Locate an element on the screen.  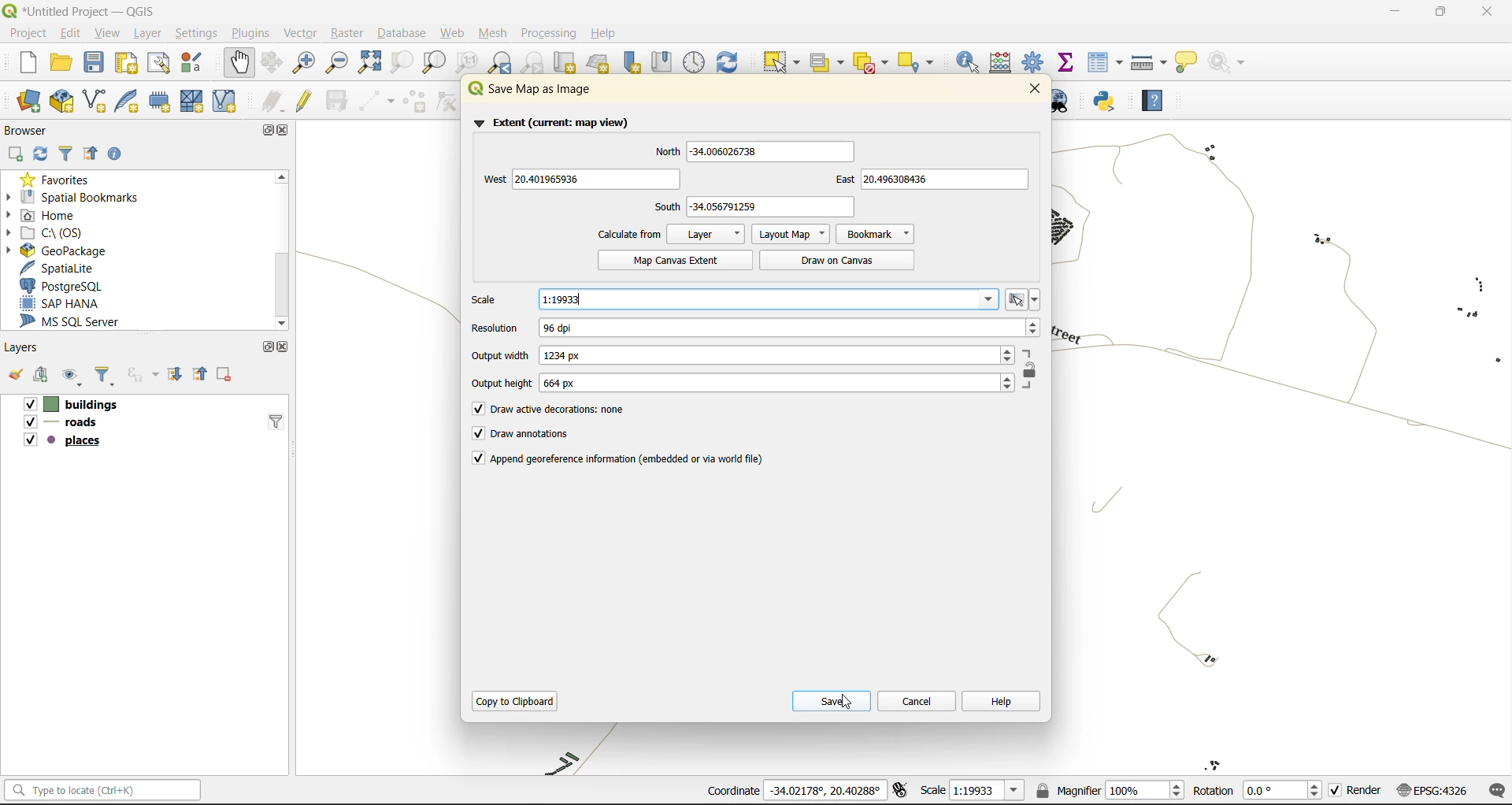
toggle edits is located at coordinates (303, 101).